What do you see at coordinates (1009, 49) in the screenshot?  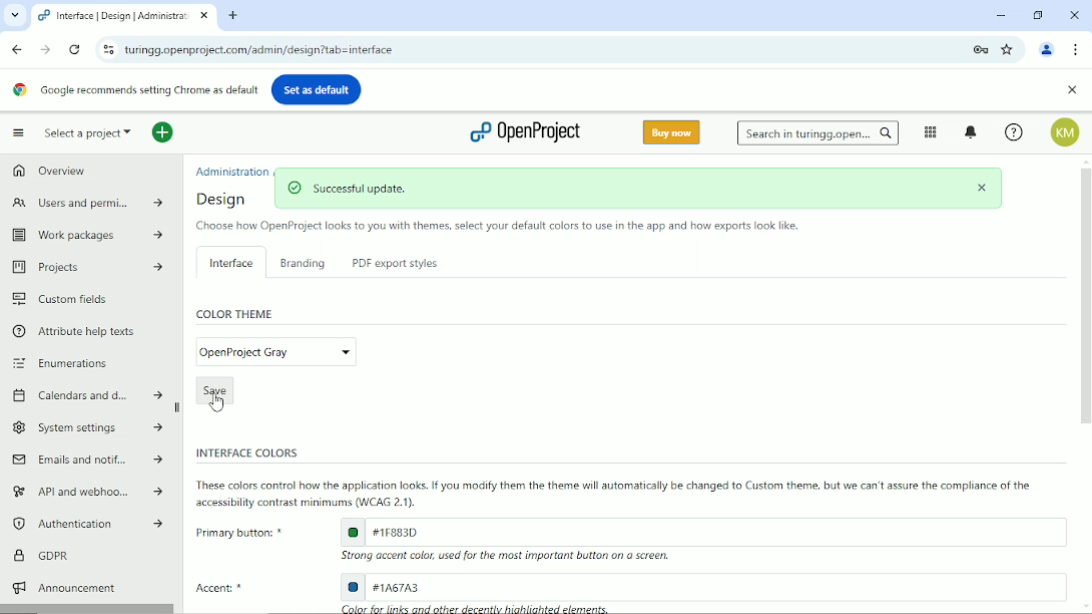 I see `Bookmark this tab` at bounding box center [1009, 49].